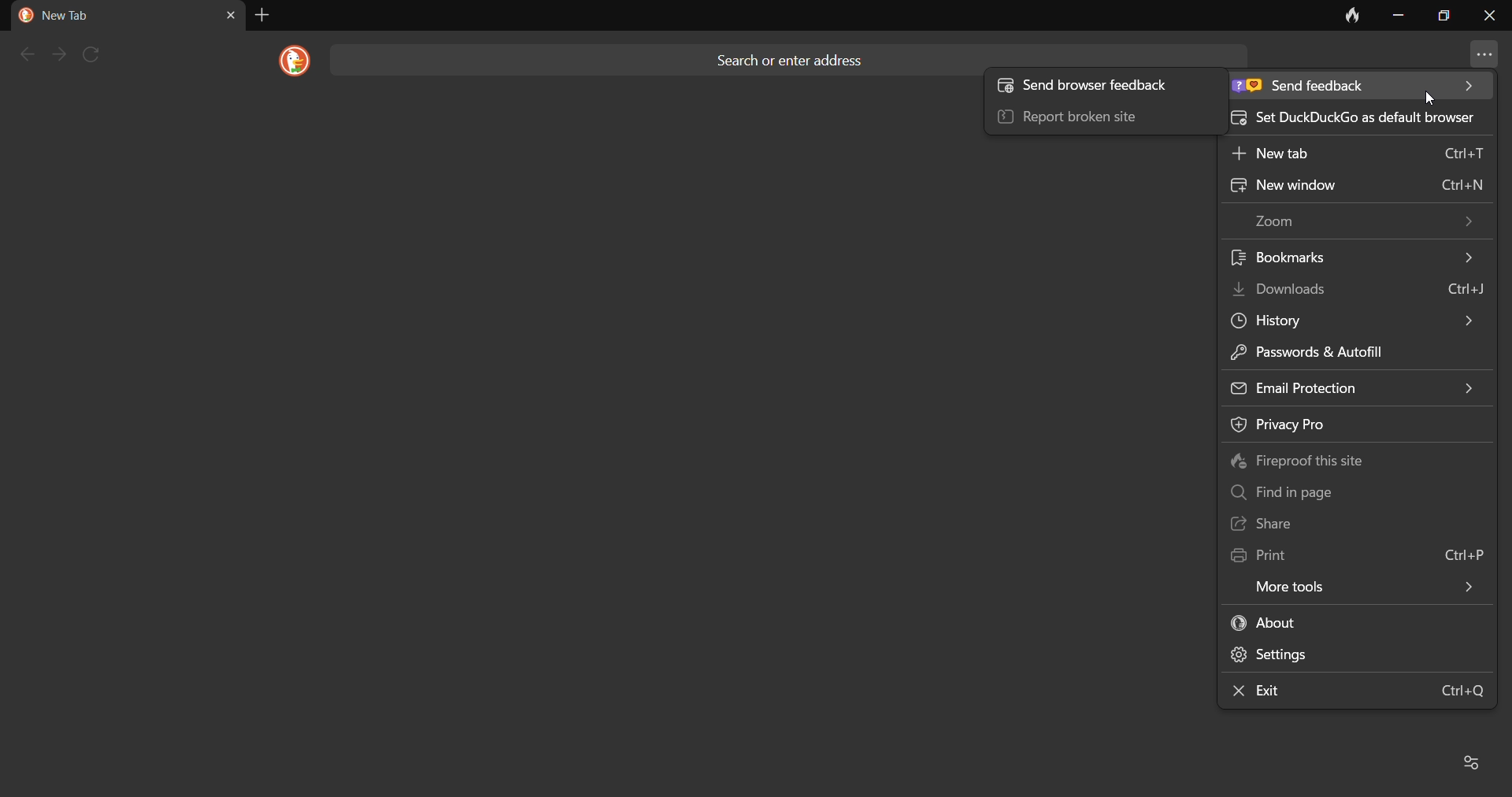 Image resolution: width=1512 pixels, height=797 pixels. I want to click on maximize, so click(1441, 16).